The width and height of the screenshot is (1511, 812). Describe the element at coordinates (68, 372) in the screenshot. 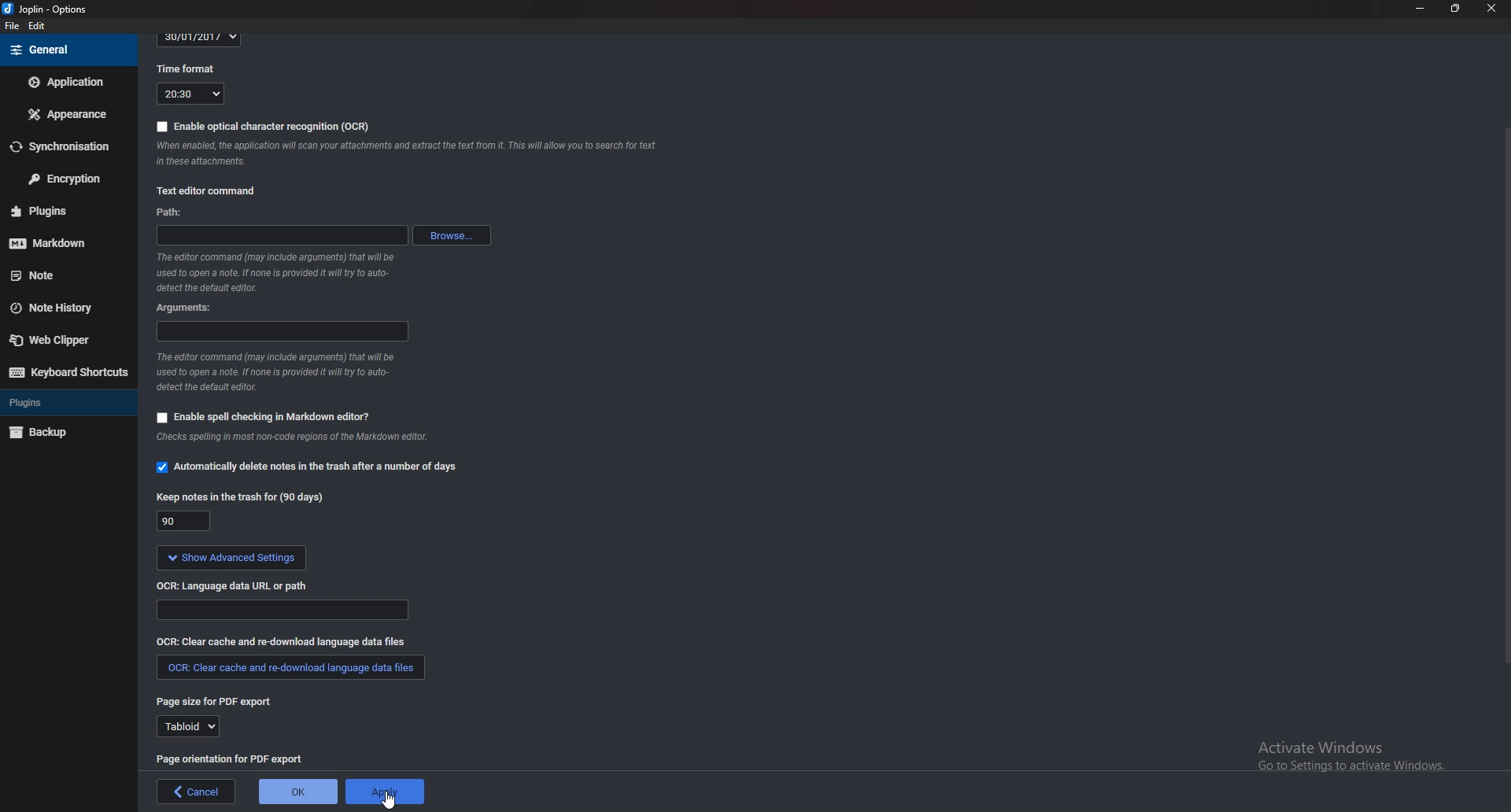

I see `Keyboard shortcuts` at that location.